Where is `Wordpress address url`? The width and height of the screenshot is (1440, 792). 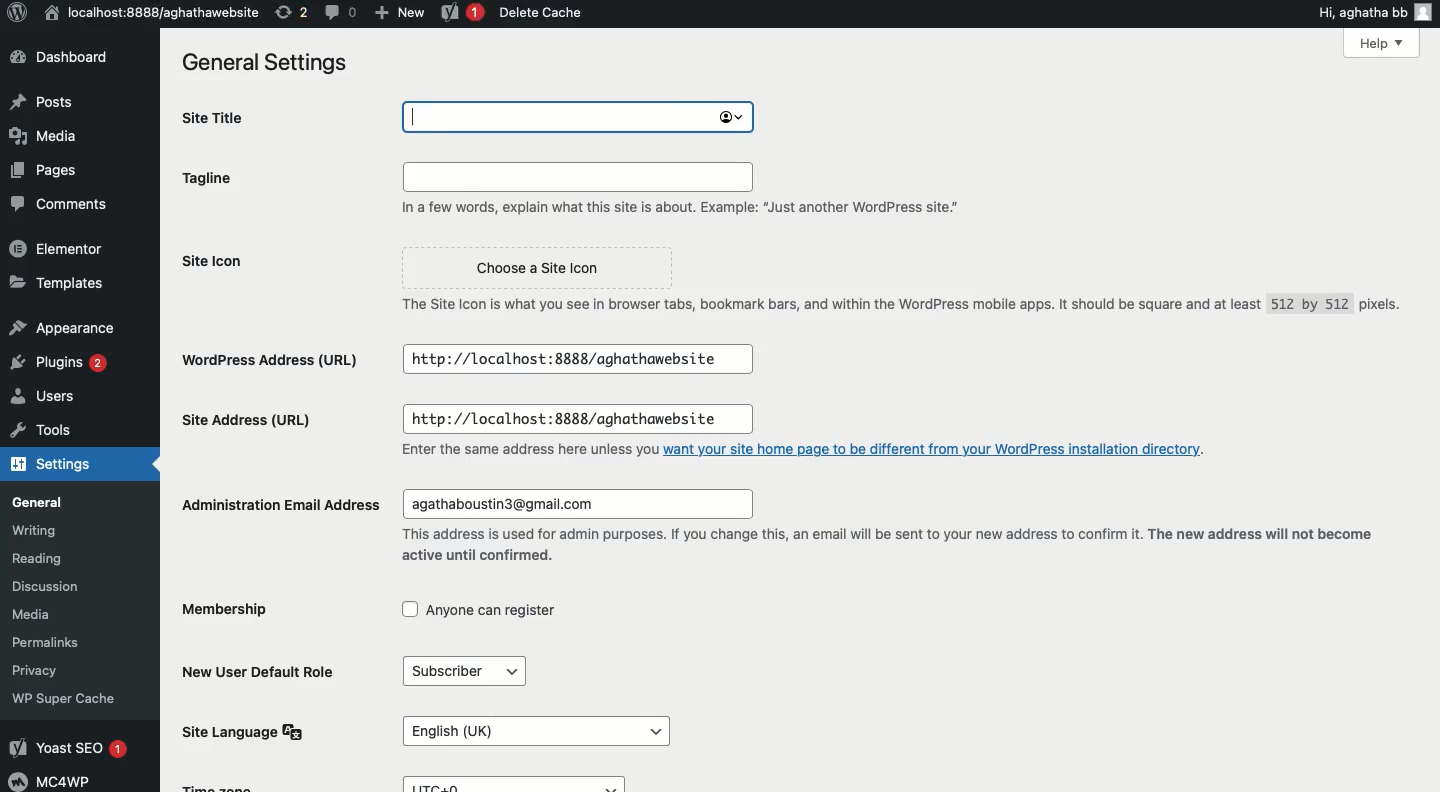 Wordpress address url is located at coordinates (273, 361).